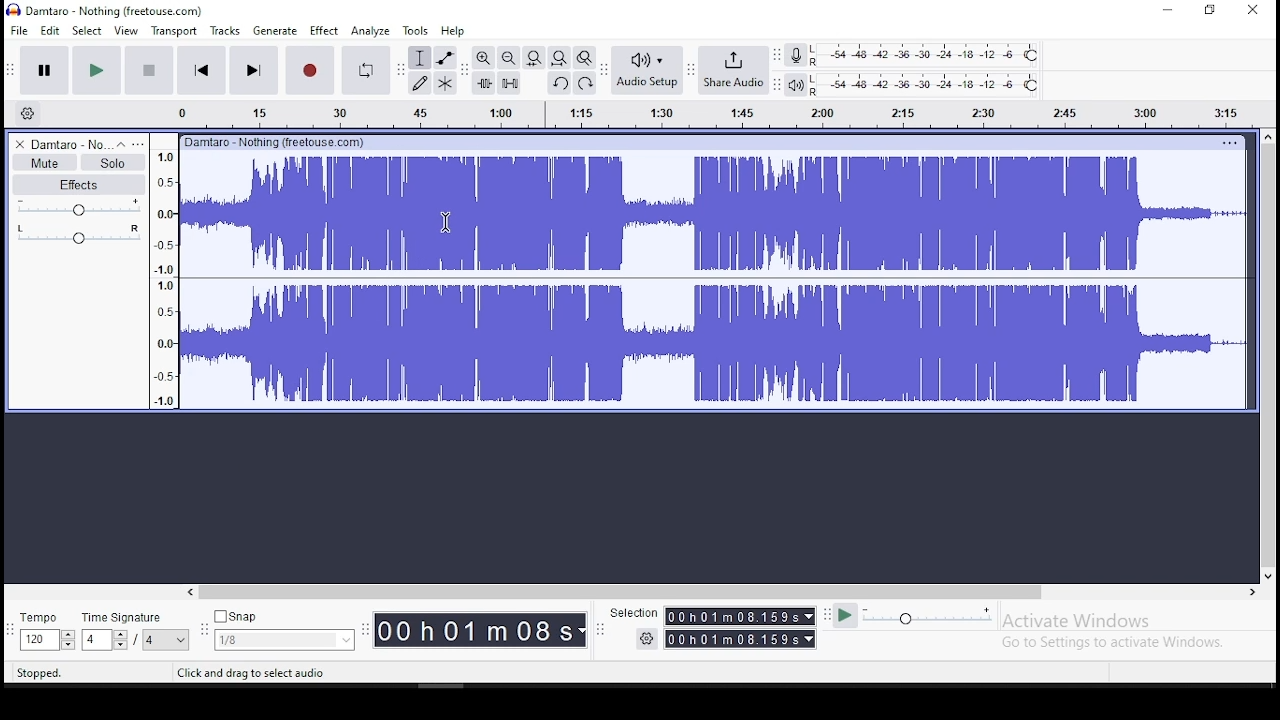 This screenshot has height=720, width=1280. I want to click on redo, so click(584, 83).